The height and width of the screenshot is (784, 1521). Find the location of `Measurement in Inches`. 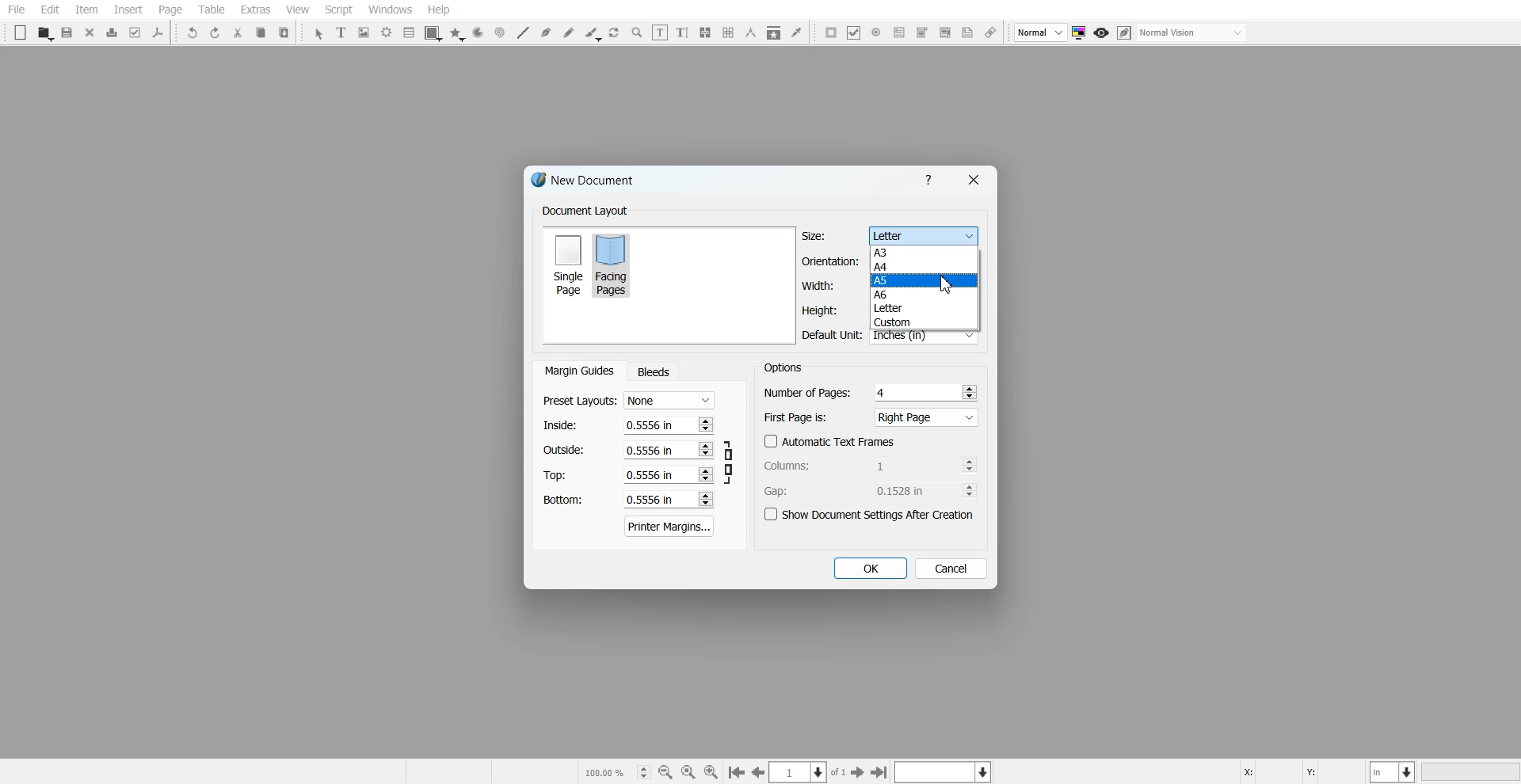

Measurement in Inches is located at coordinates (1393, 771).